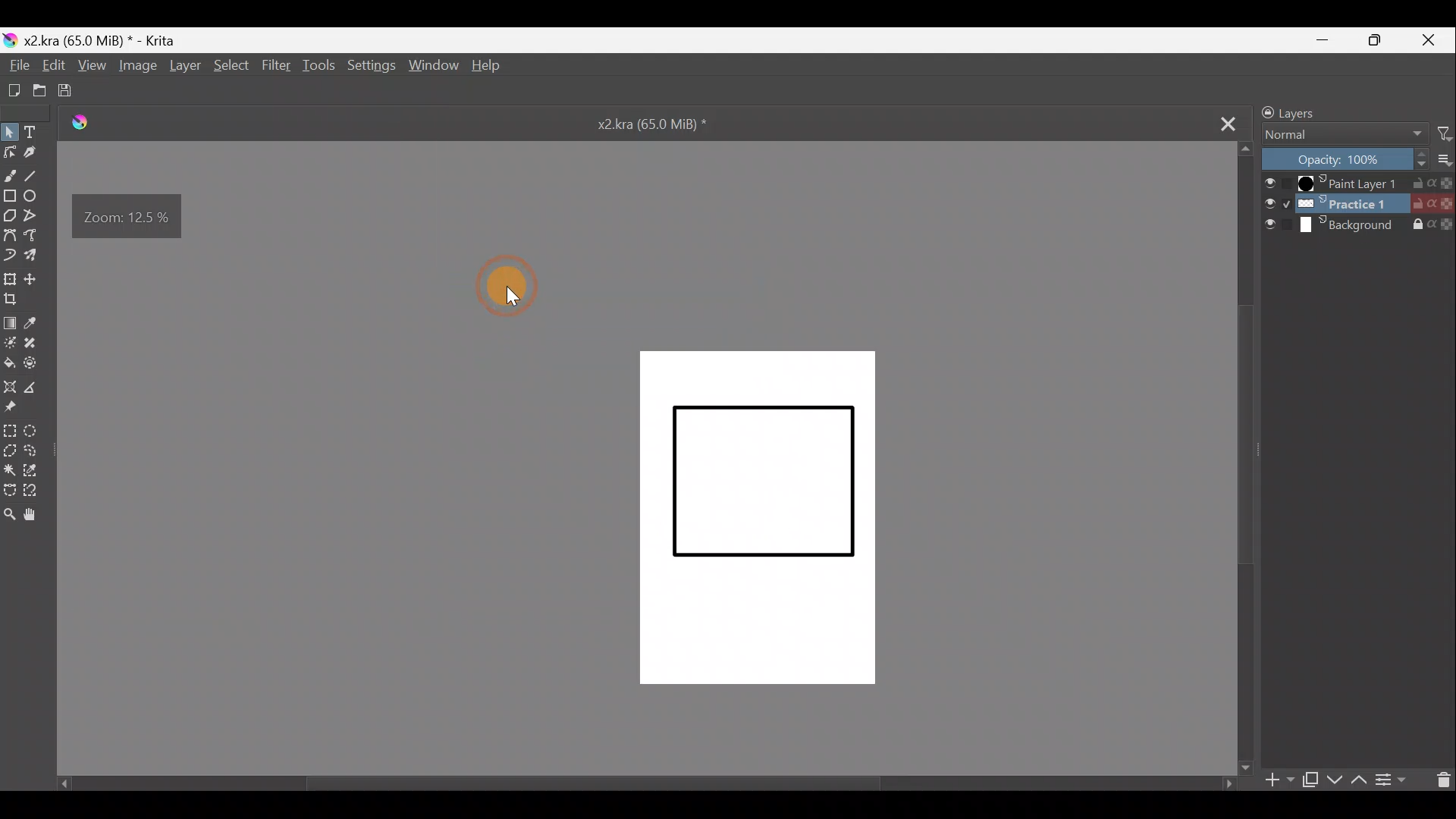  I want to click on Elliptical selection tool, so click(33, 434).